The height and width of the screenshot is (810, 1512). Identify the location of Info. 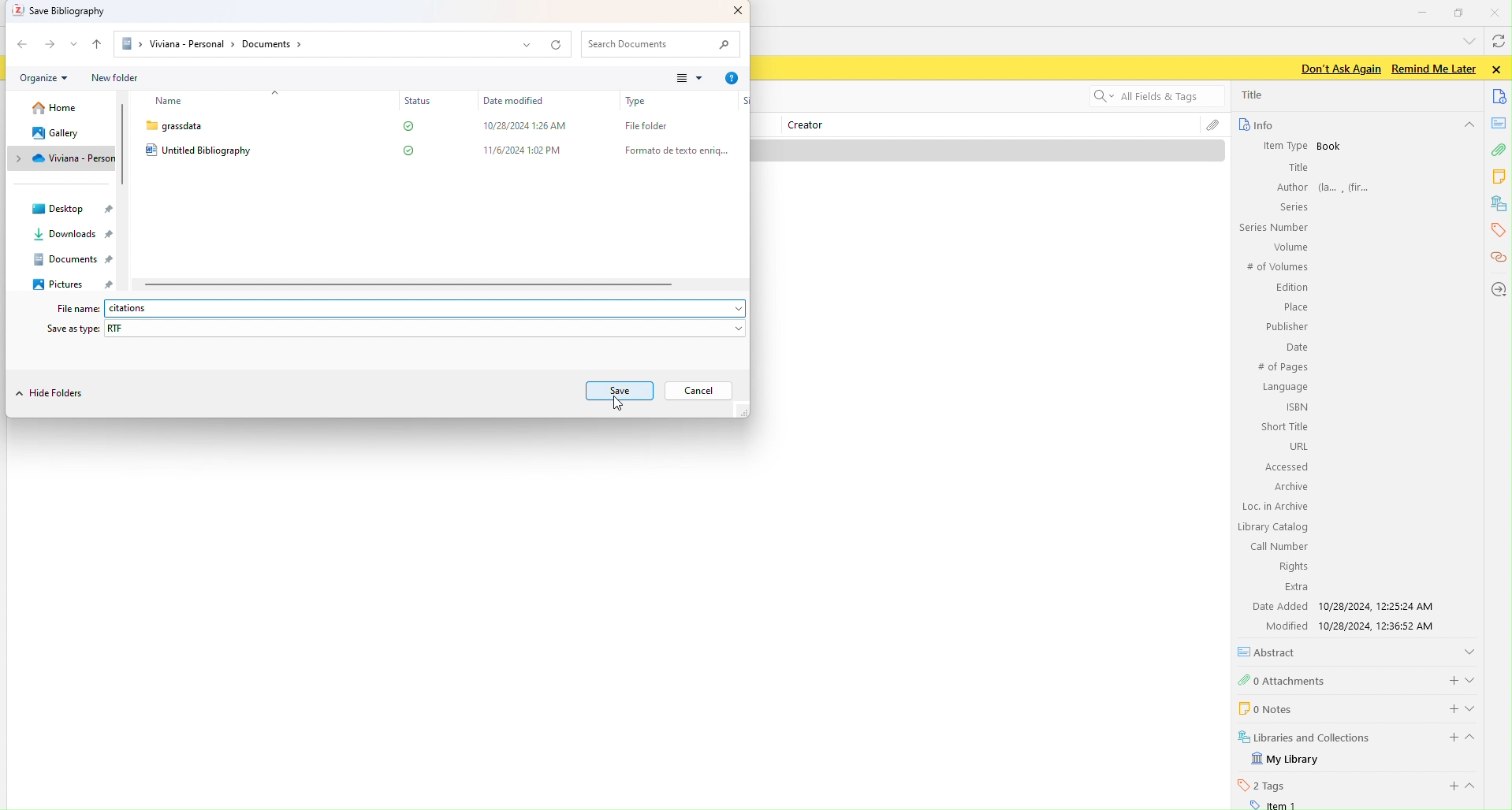
(1255, 124).